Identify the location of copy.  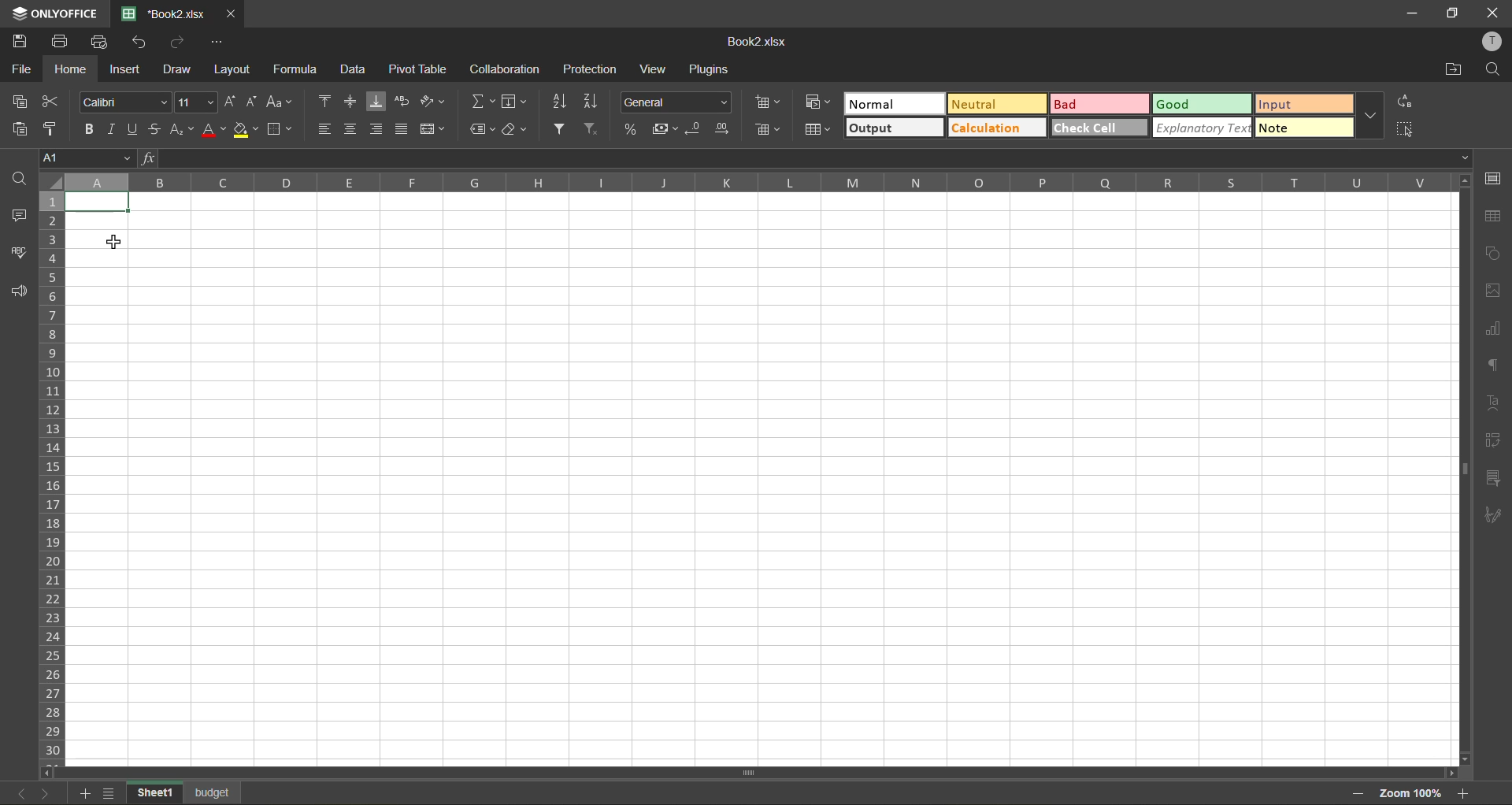
(17, 101).